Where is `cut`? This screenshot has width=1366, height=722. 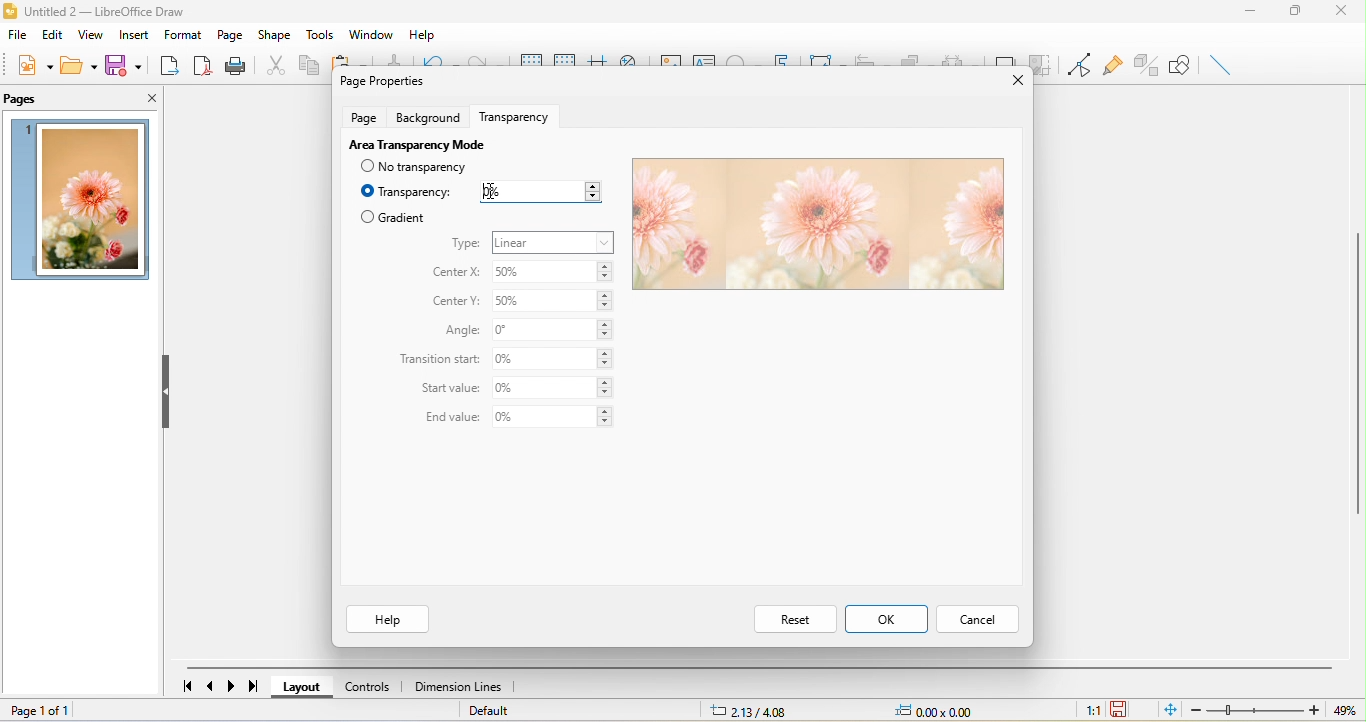 cut is located at coordinates (272, 64).